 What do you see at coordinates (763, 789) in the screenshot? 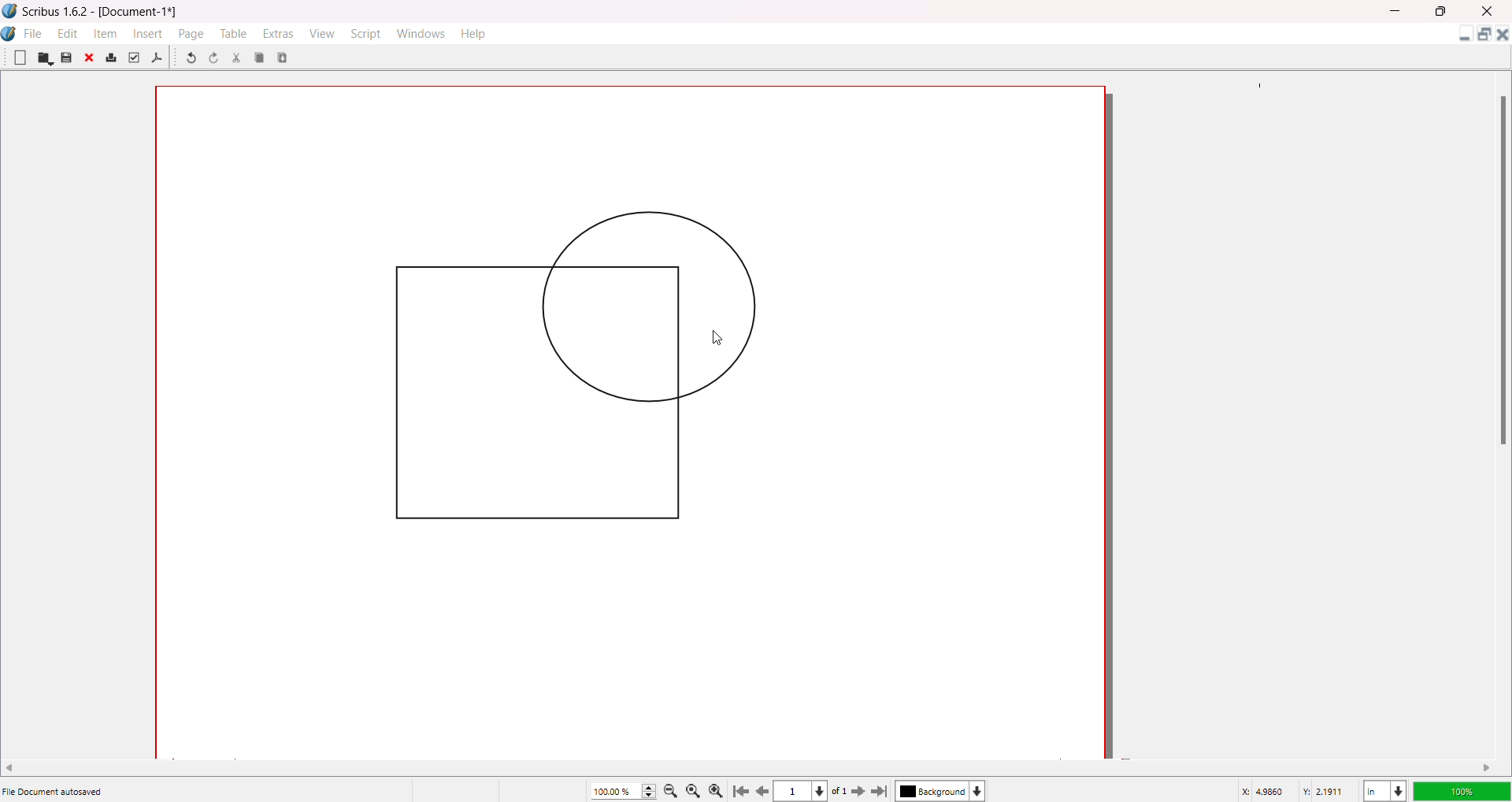
I see `Previous` at bounding box center [763, 789].